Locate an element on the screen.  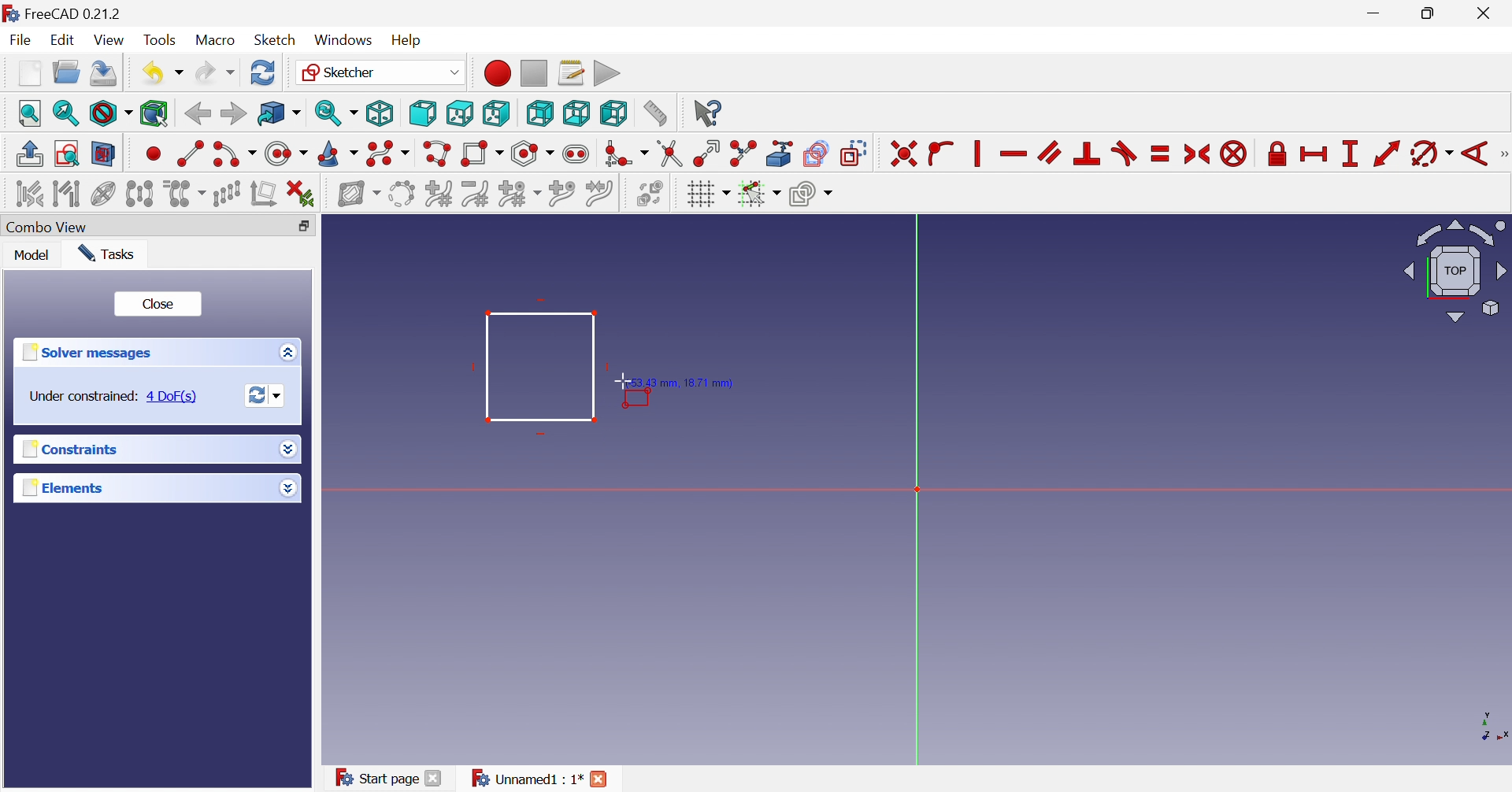
Toggle grid is located at coordinates (708, 194).